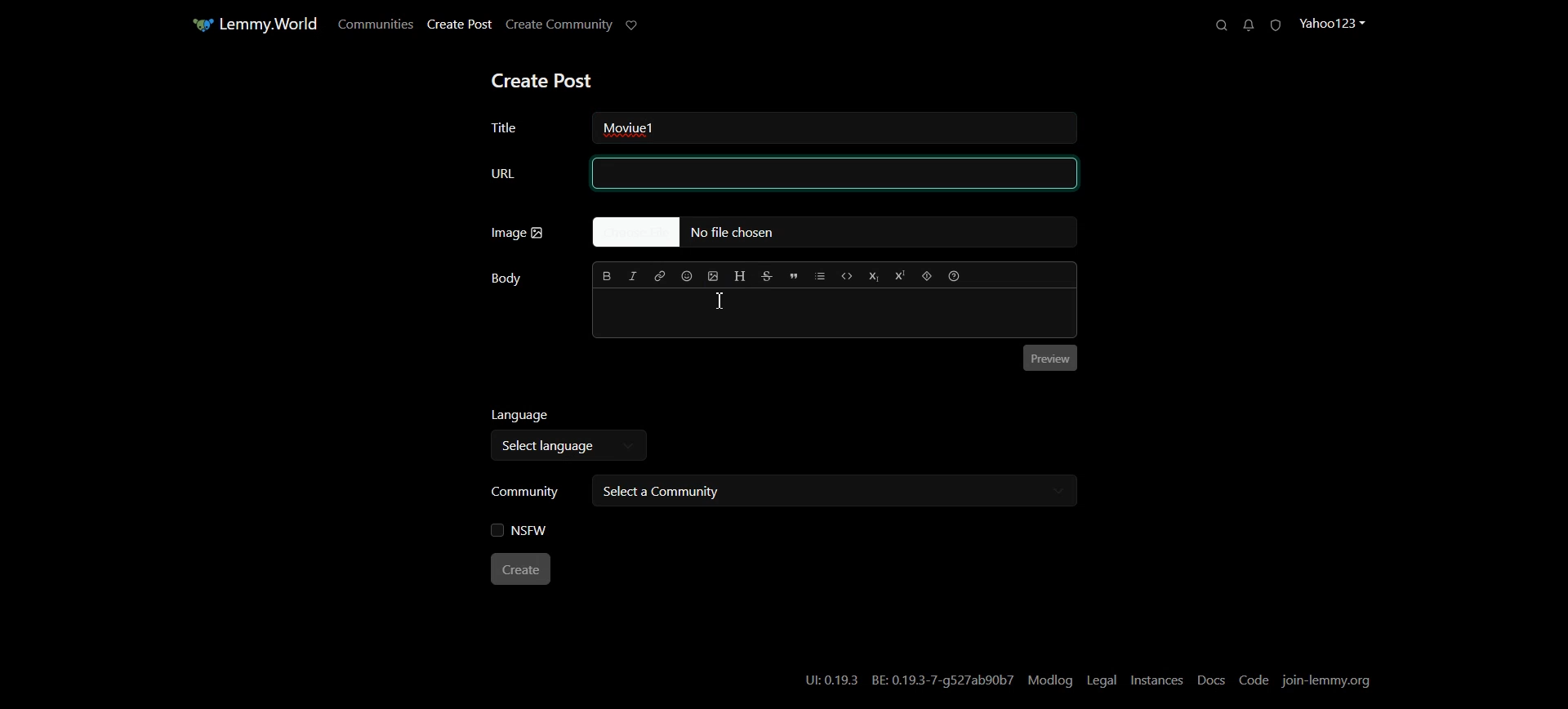 The width and height of the screenshot is (1568, 709). What do you see at coordinates (523, 570) in the screenshot?
I see `Create` at bounding box center [523, 570].